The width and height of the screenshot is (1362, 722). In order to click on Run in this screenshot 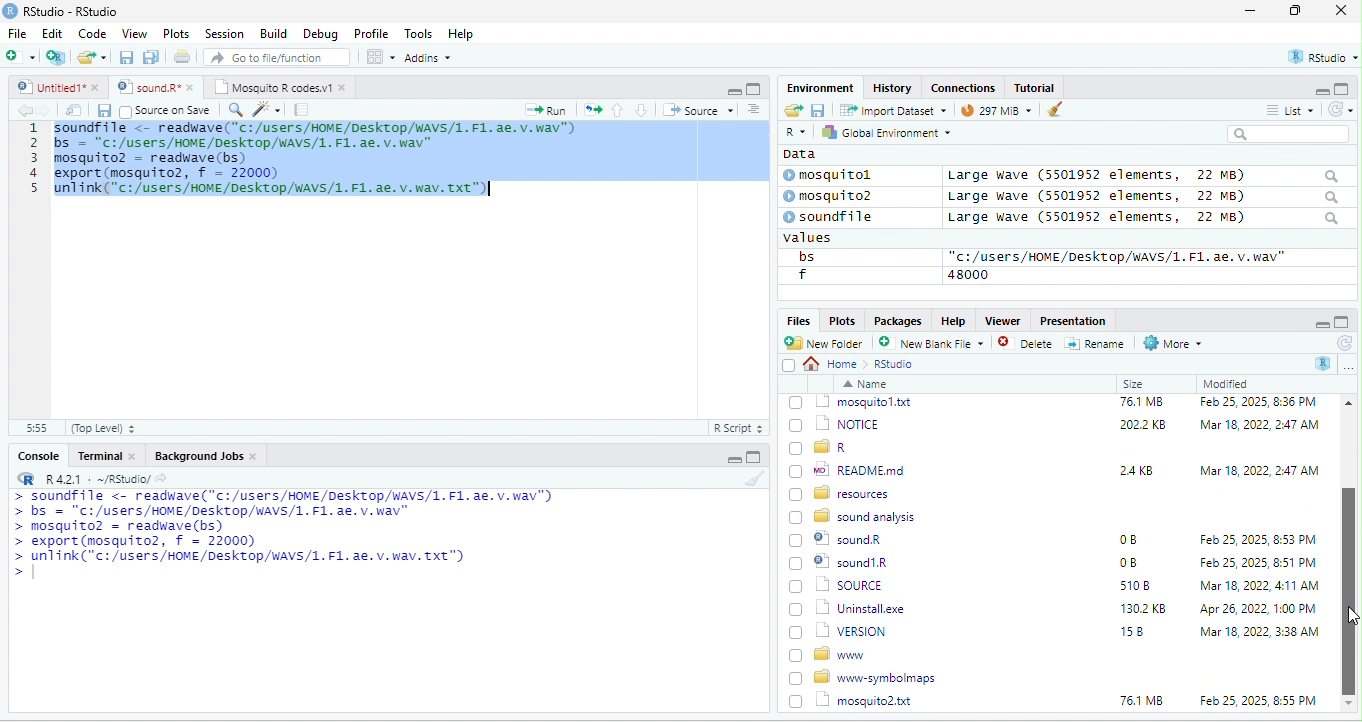, I will do `click(542, 110)`.